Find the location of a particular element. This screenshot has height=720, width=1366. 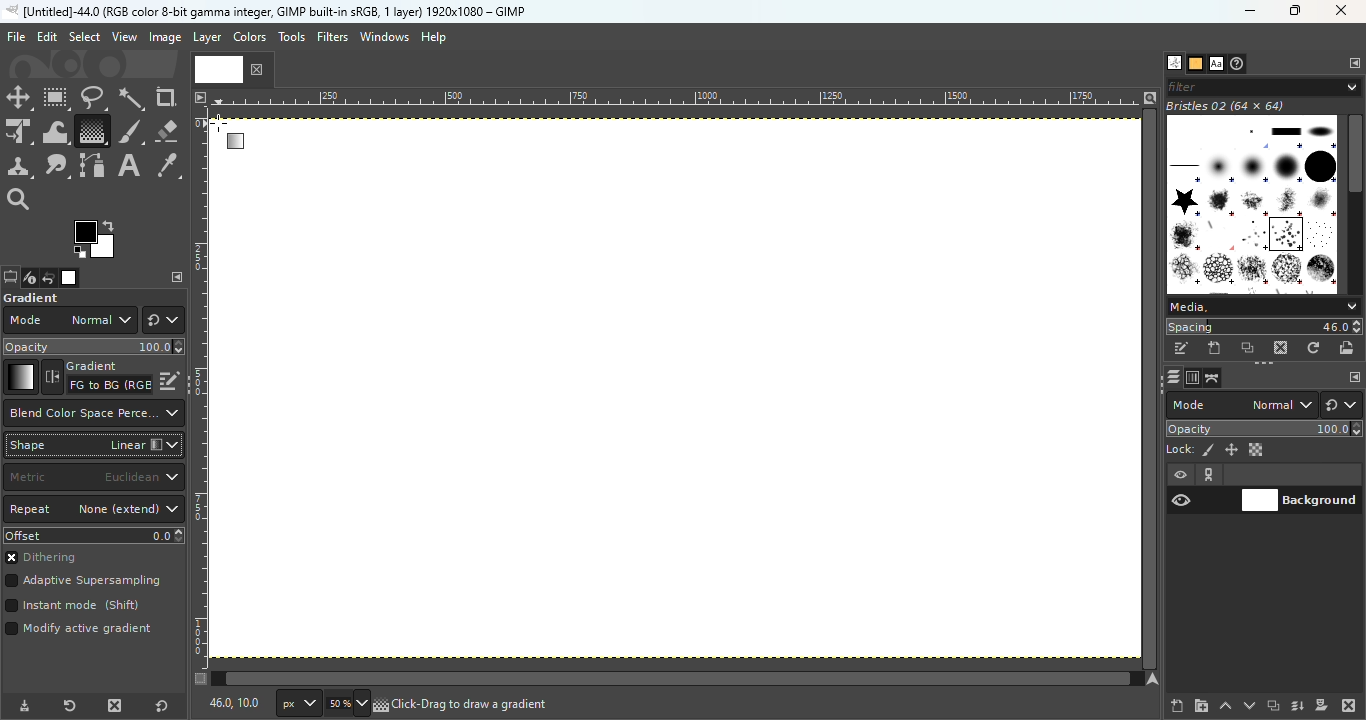

Duplicate this brush is located at coordinates (1249, 348).